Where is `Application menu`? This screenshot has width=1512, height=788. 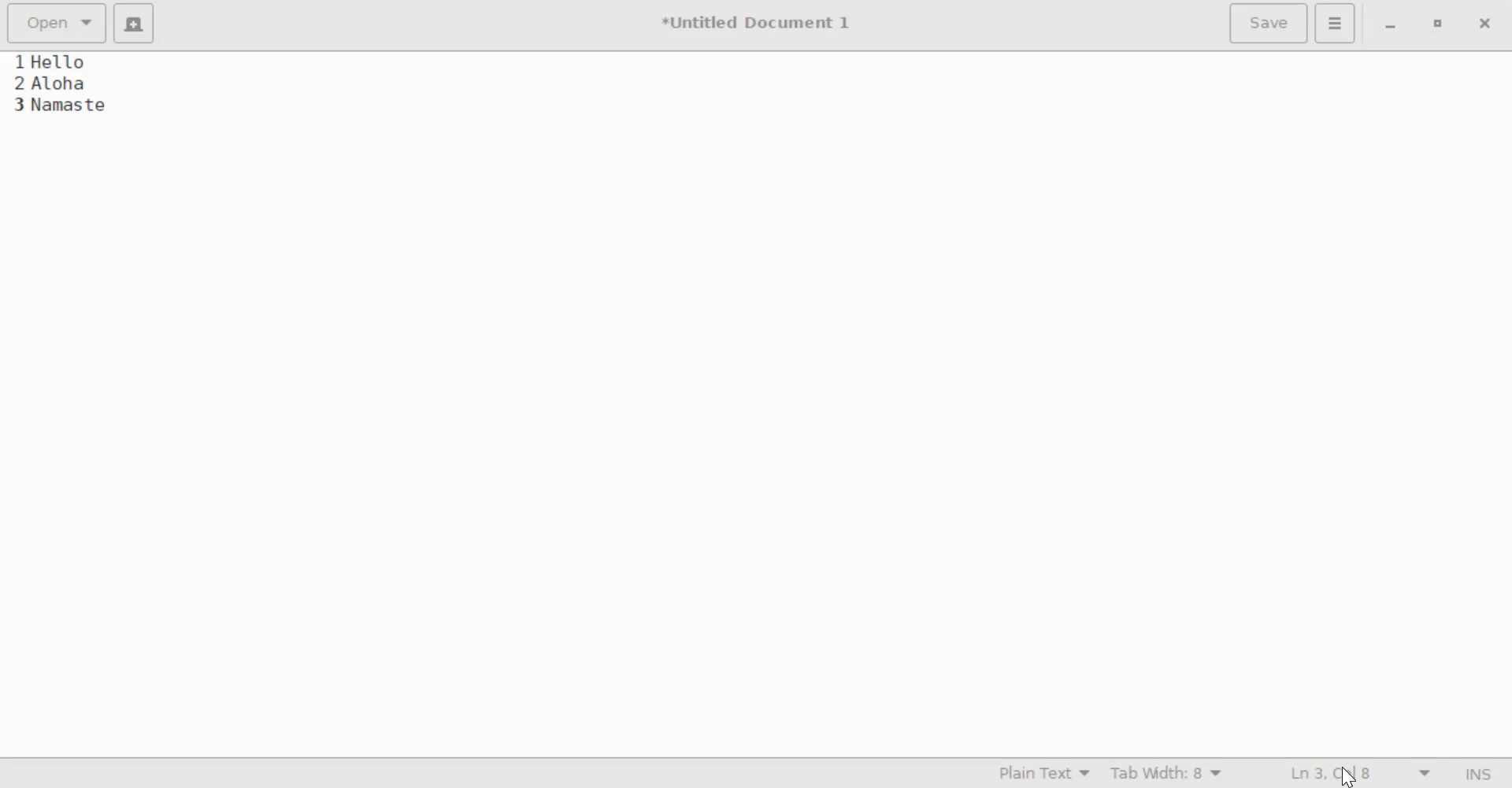
Application menu is located at coordinates (1336, 22).